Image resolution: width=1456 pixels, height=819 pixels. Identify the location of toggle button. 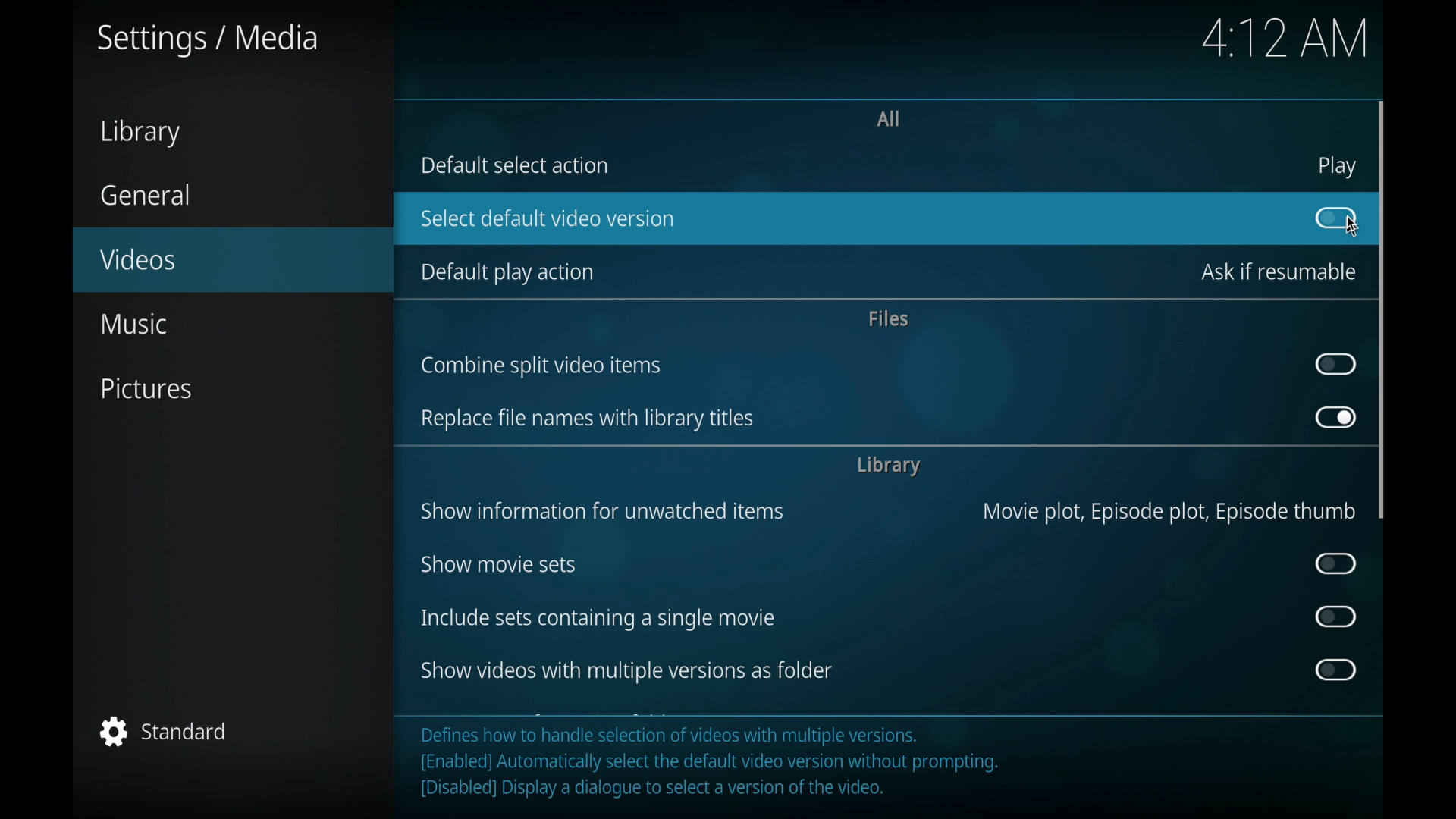
(1335, 218).